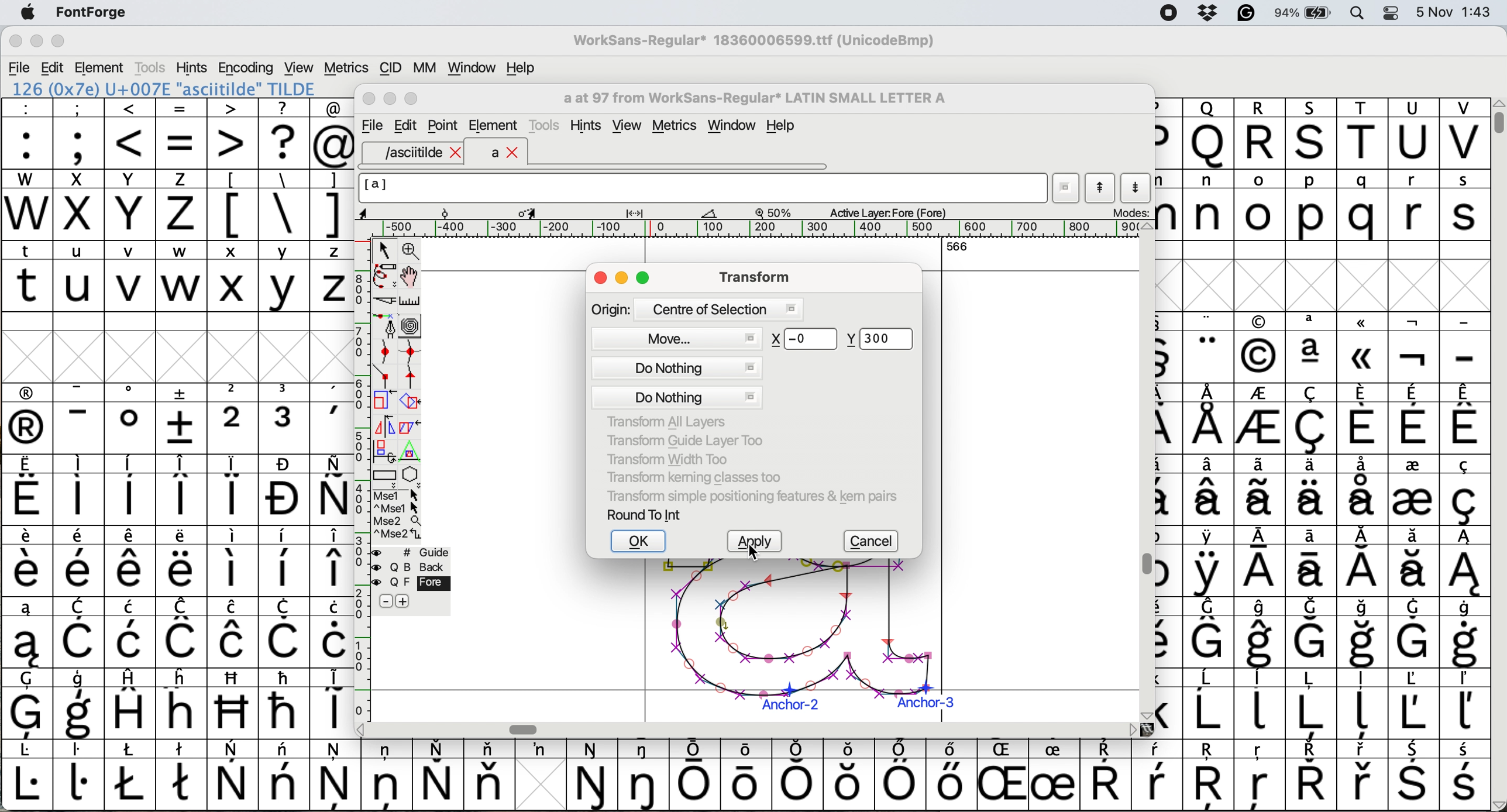 This screenshot has width=1507, height=812. What do you see at coordinates (130, 133) in the screenshot?
I see `<` at bounding box center [130, 133].